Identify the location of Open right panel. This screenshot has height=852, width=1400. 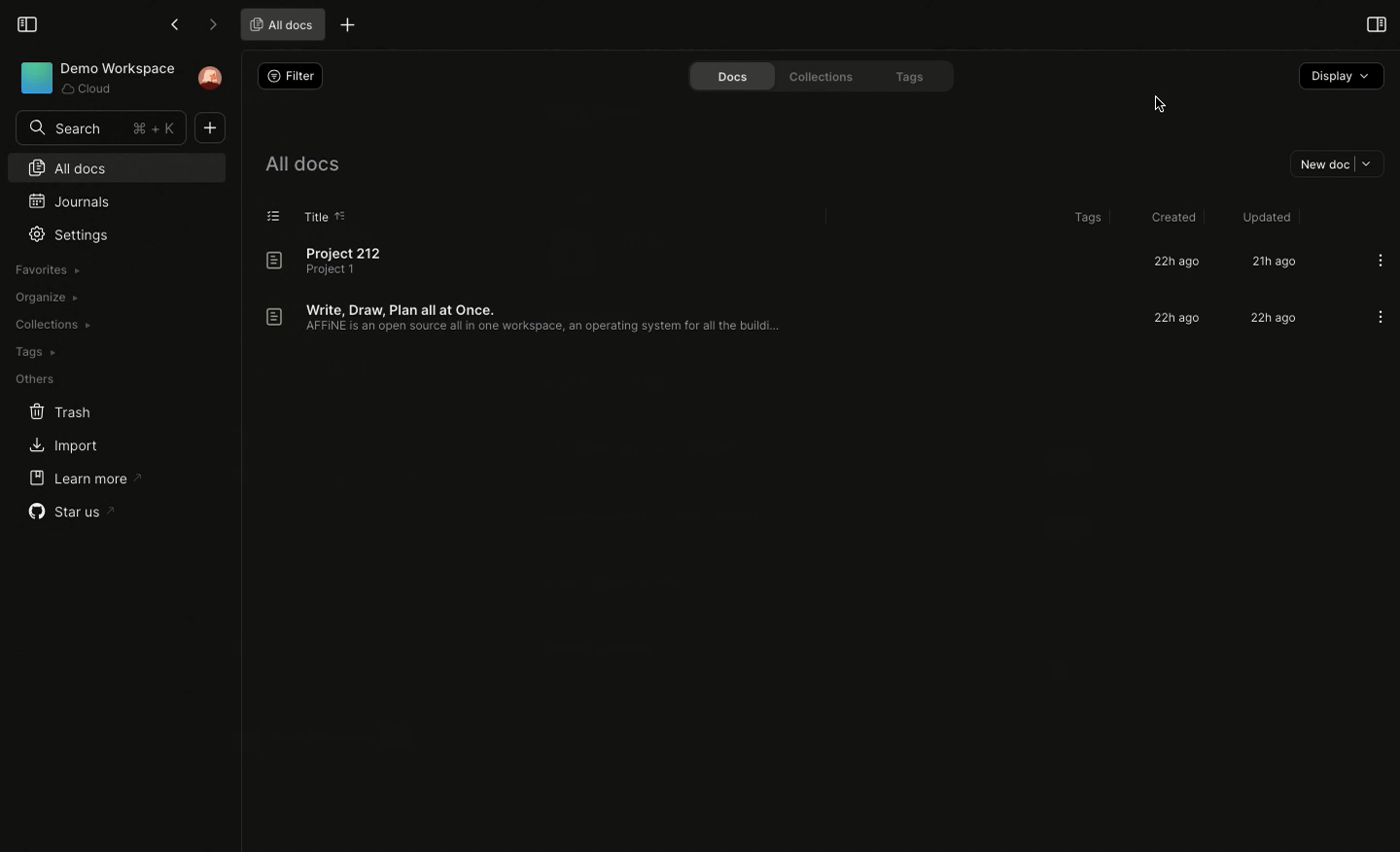
(1374, 26).